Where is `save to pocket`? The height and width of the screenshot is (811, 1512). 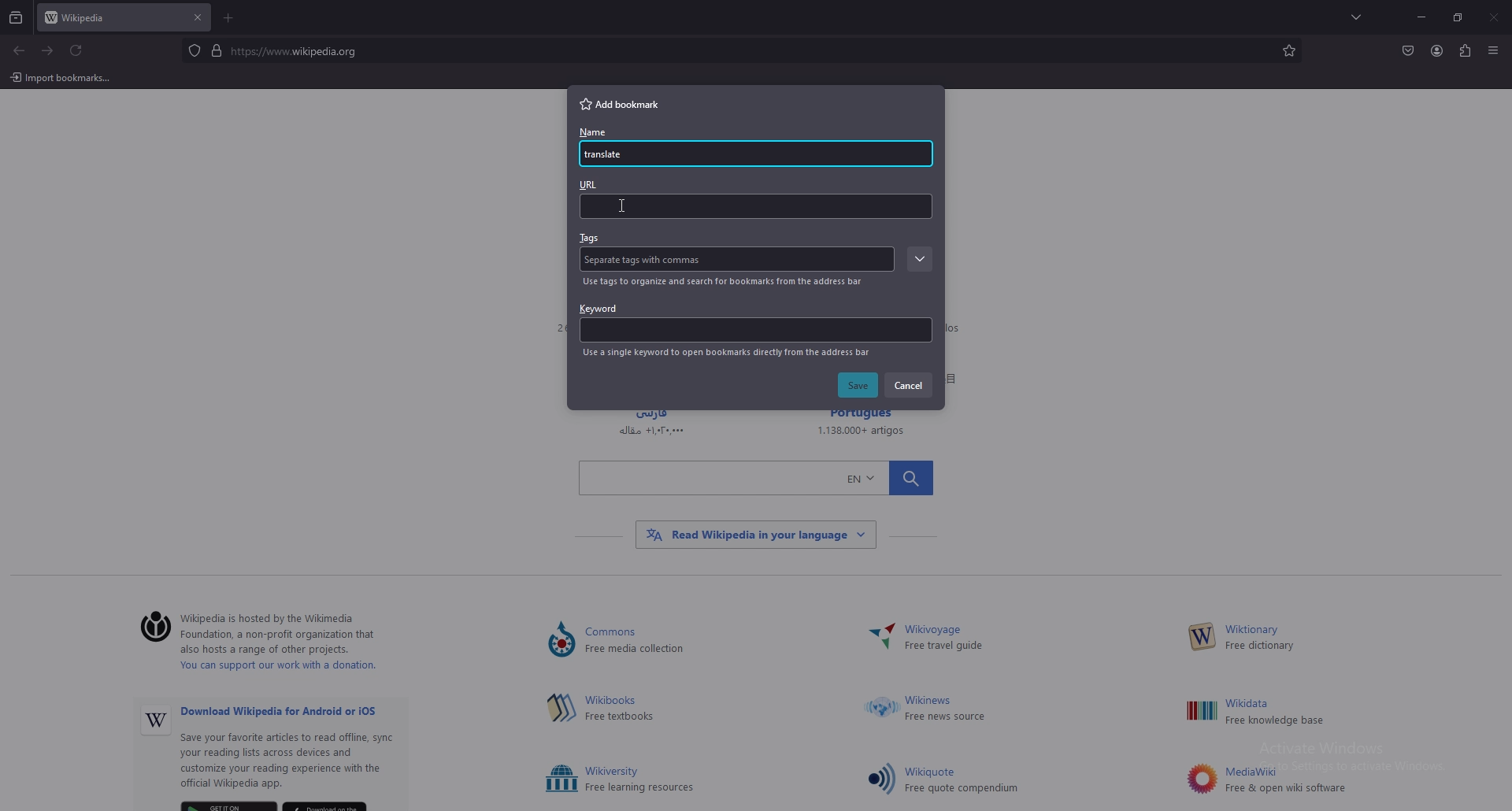 save to pocket is located at coordinates (1407, 50).